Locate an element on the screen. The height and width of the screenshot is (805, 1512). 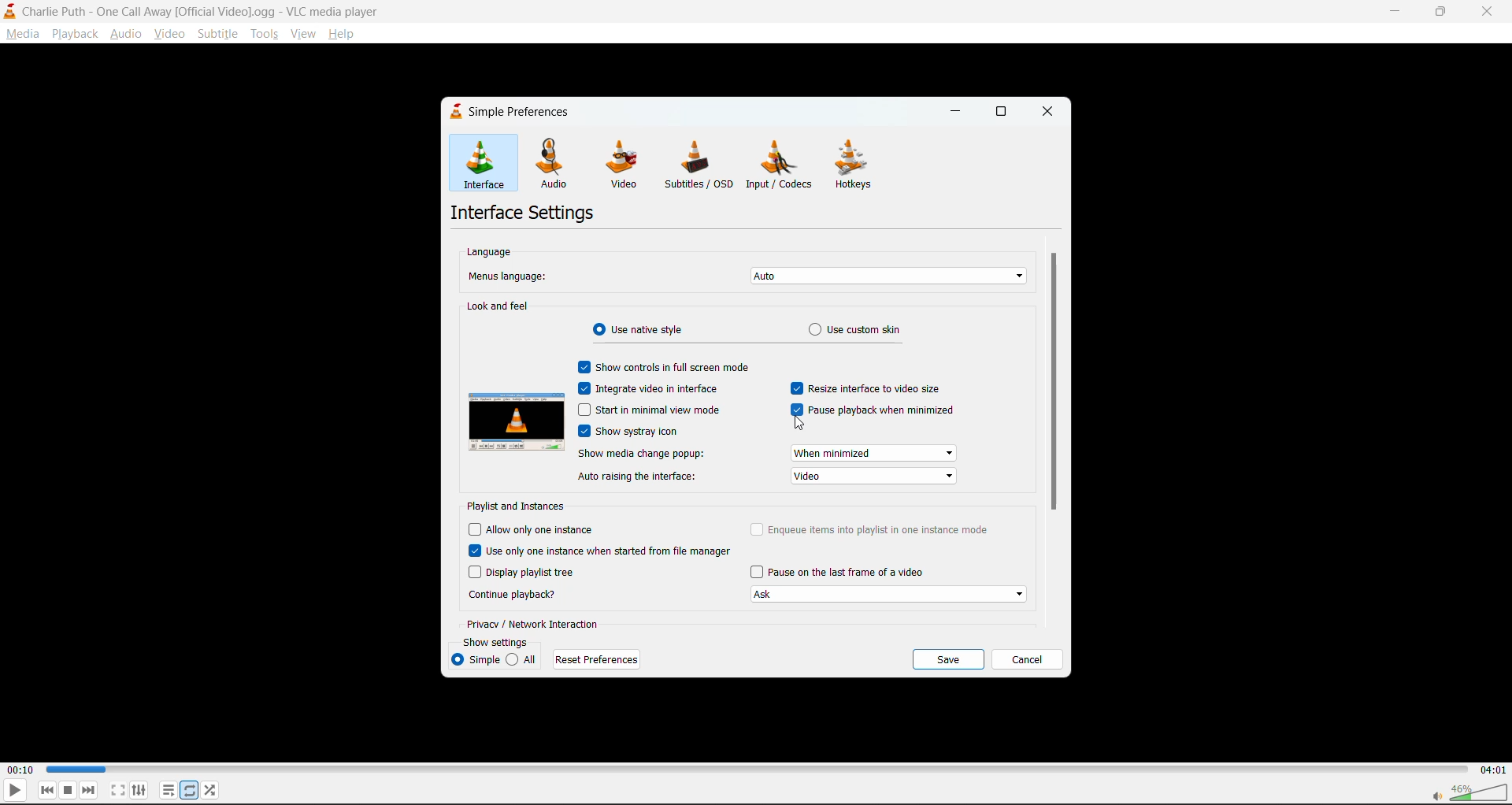
Checbox is located at coordinates (796, 410).